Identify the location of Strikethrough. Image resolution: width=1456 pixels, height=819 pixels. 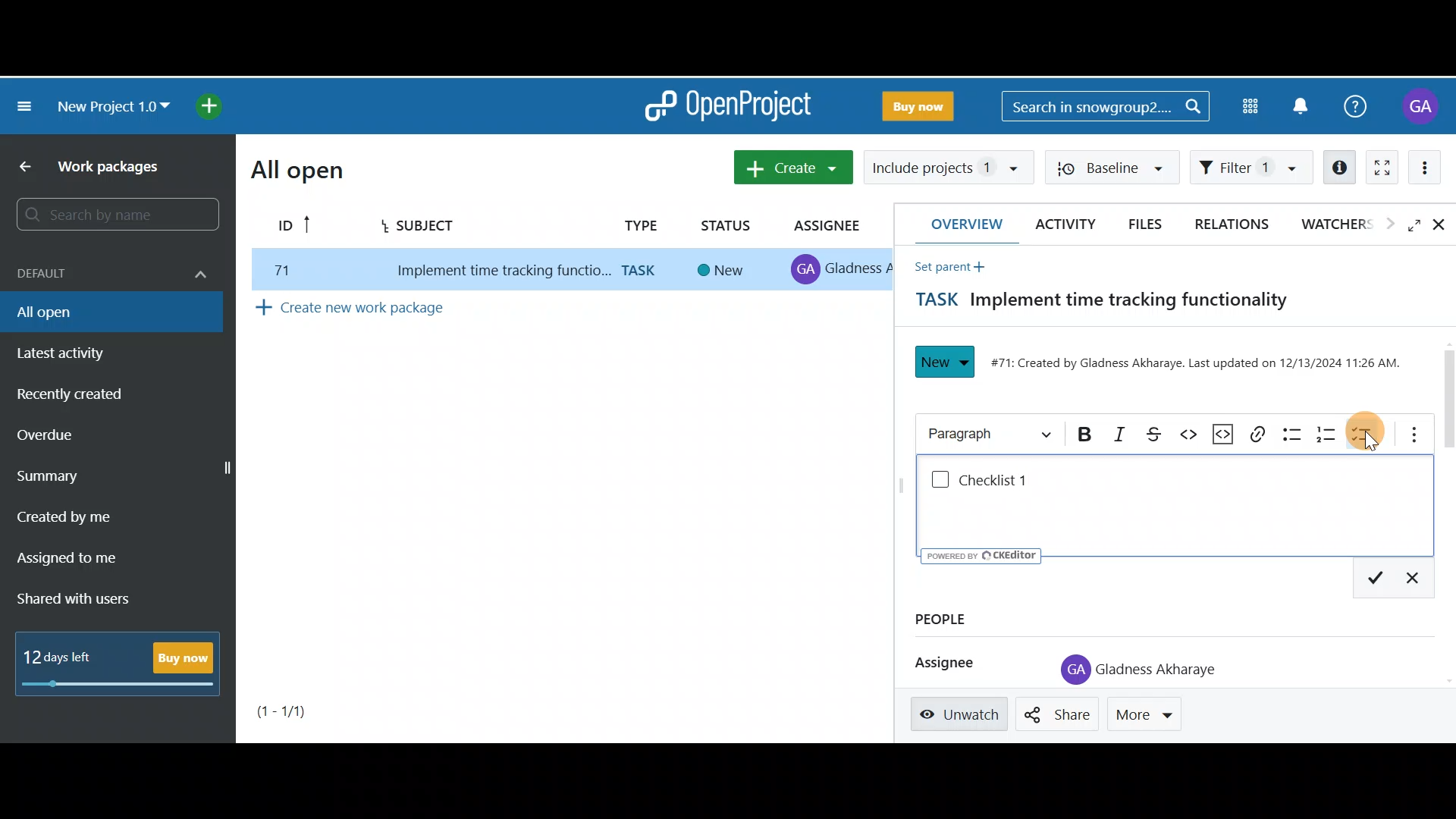
(1160, 434).